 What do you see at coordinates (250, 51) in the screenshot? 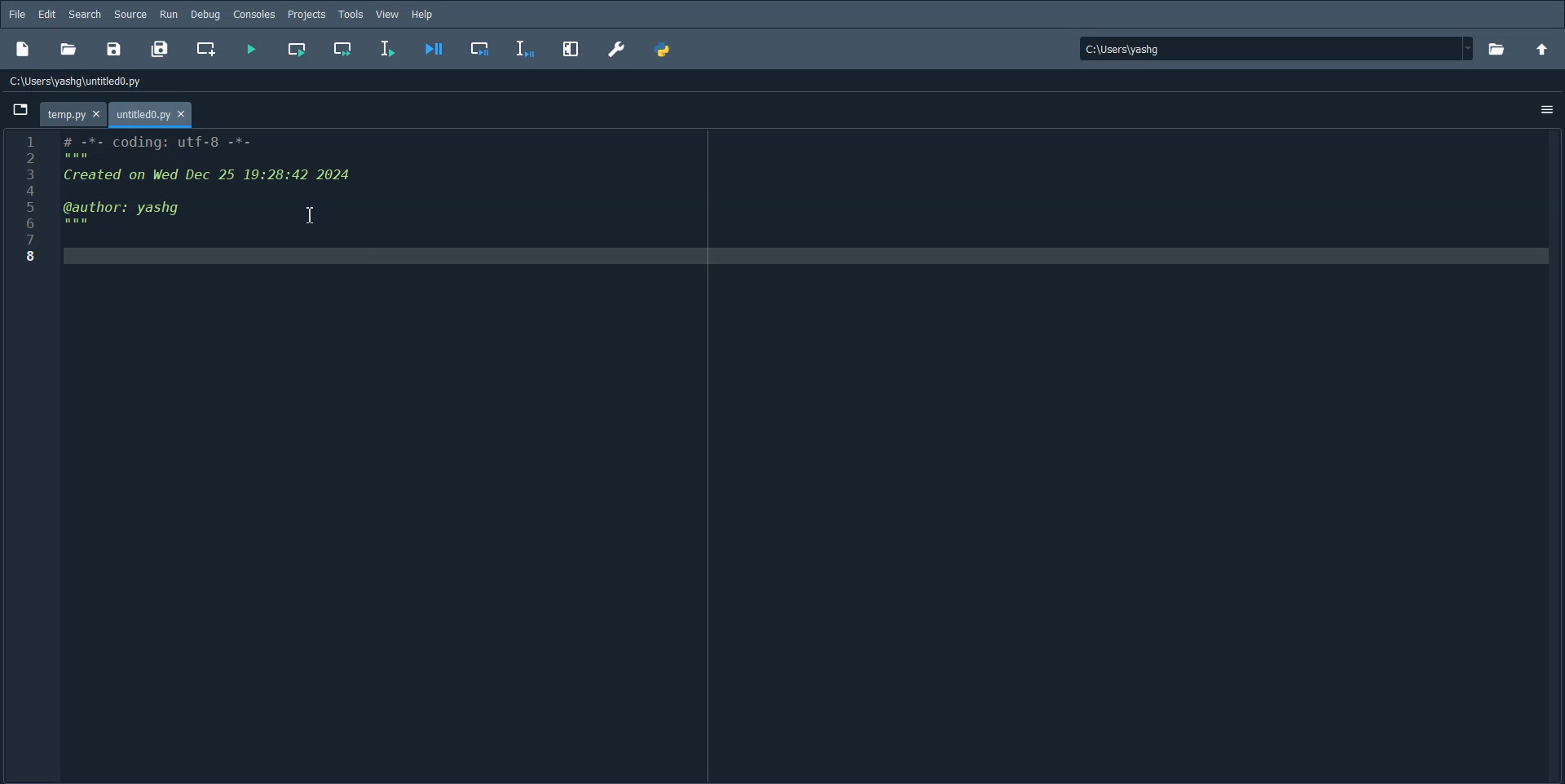
I see `Run file` at bounding box center [250, 51].